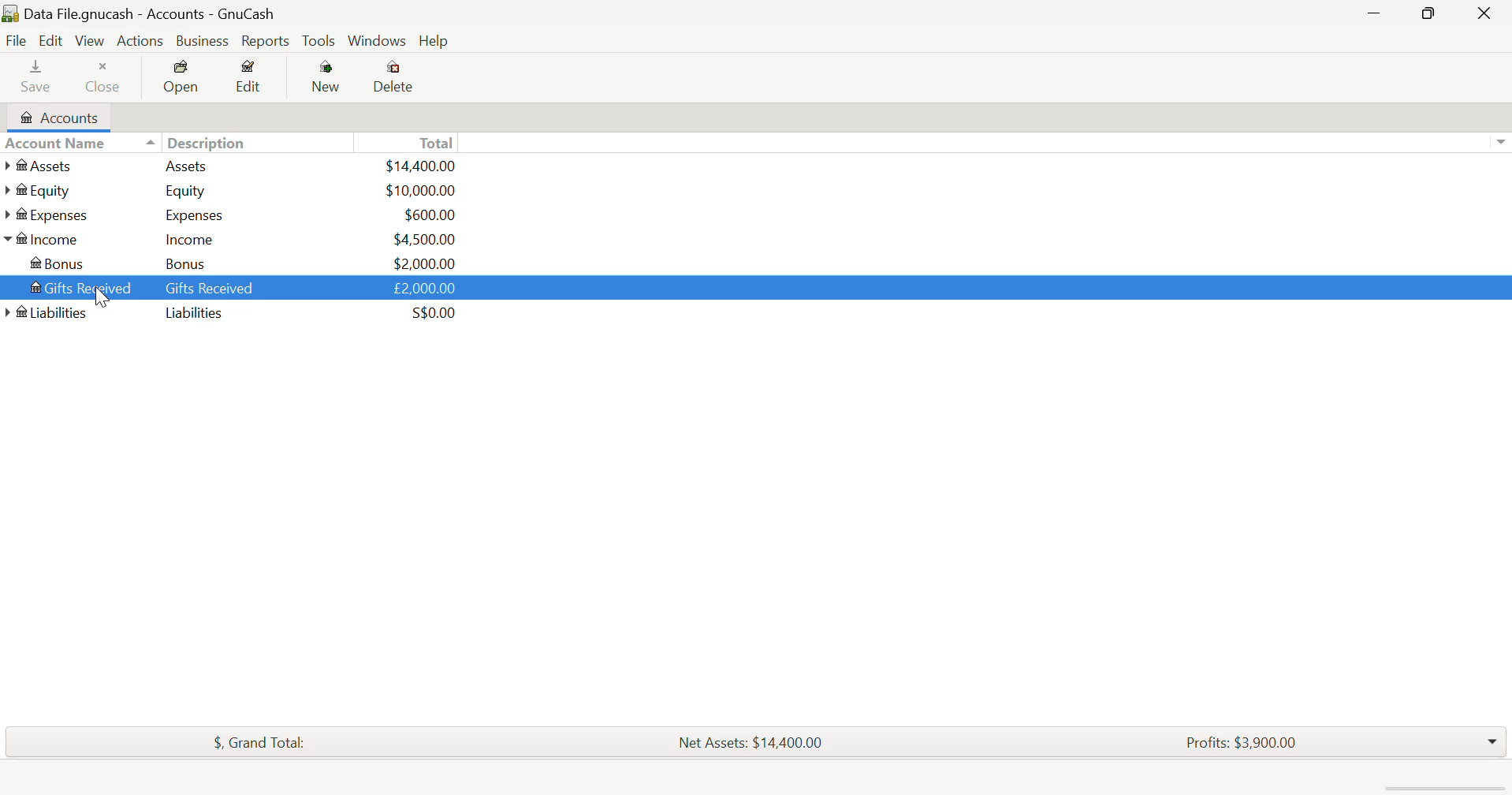 The width and height of the screenshot is (1512, 795). Describe the element at coordinates (106, 73) in the screenshot. I see `Close` at that location.